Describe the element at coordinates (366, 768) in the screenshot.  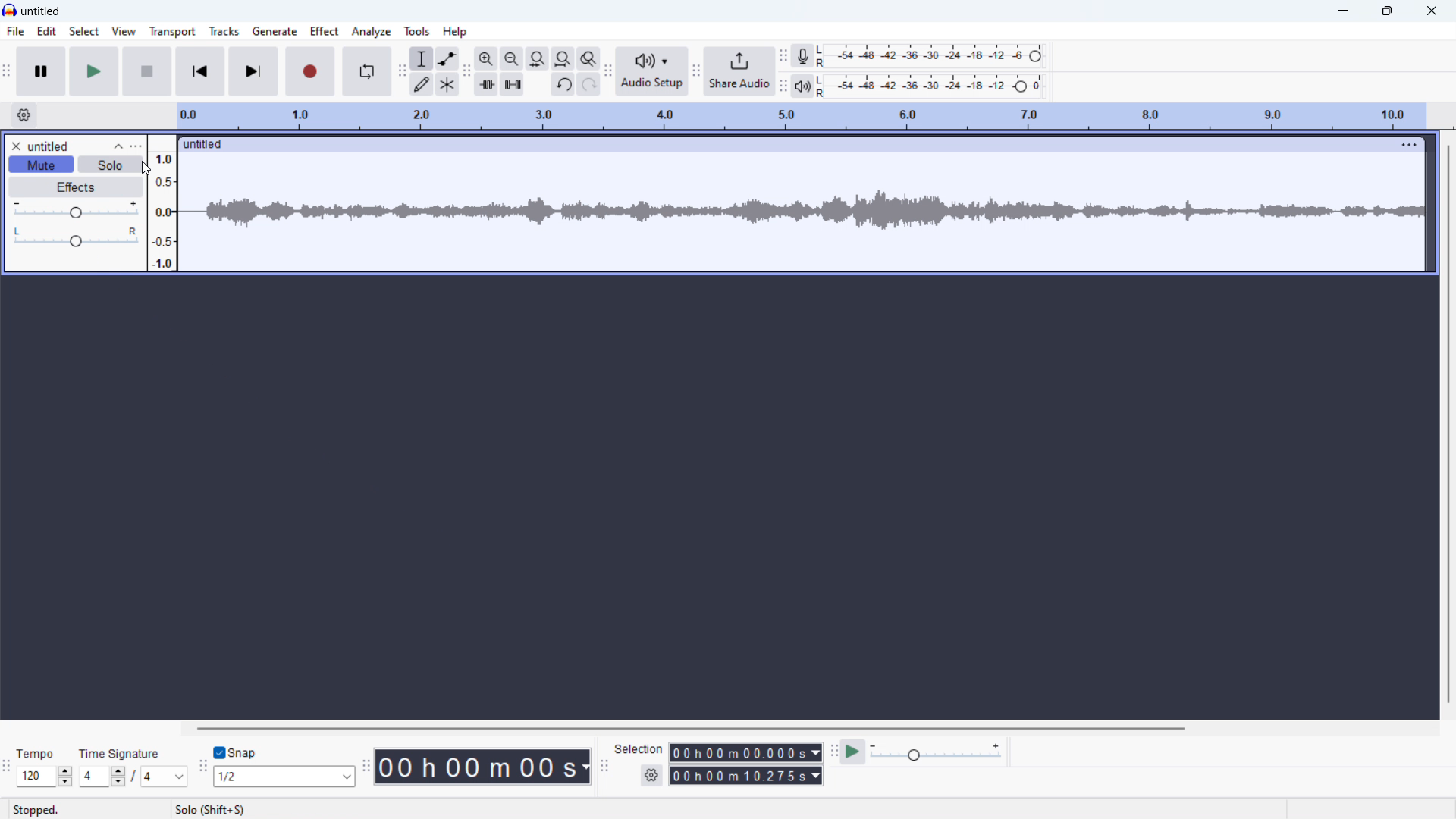
I see `time toolbar` at that location.